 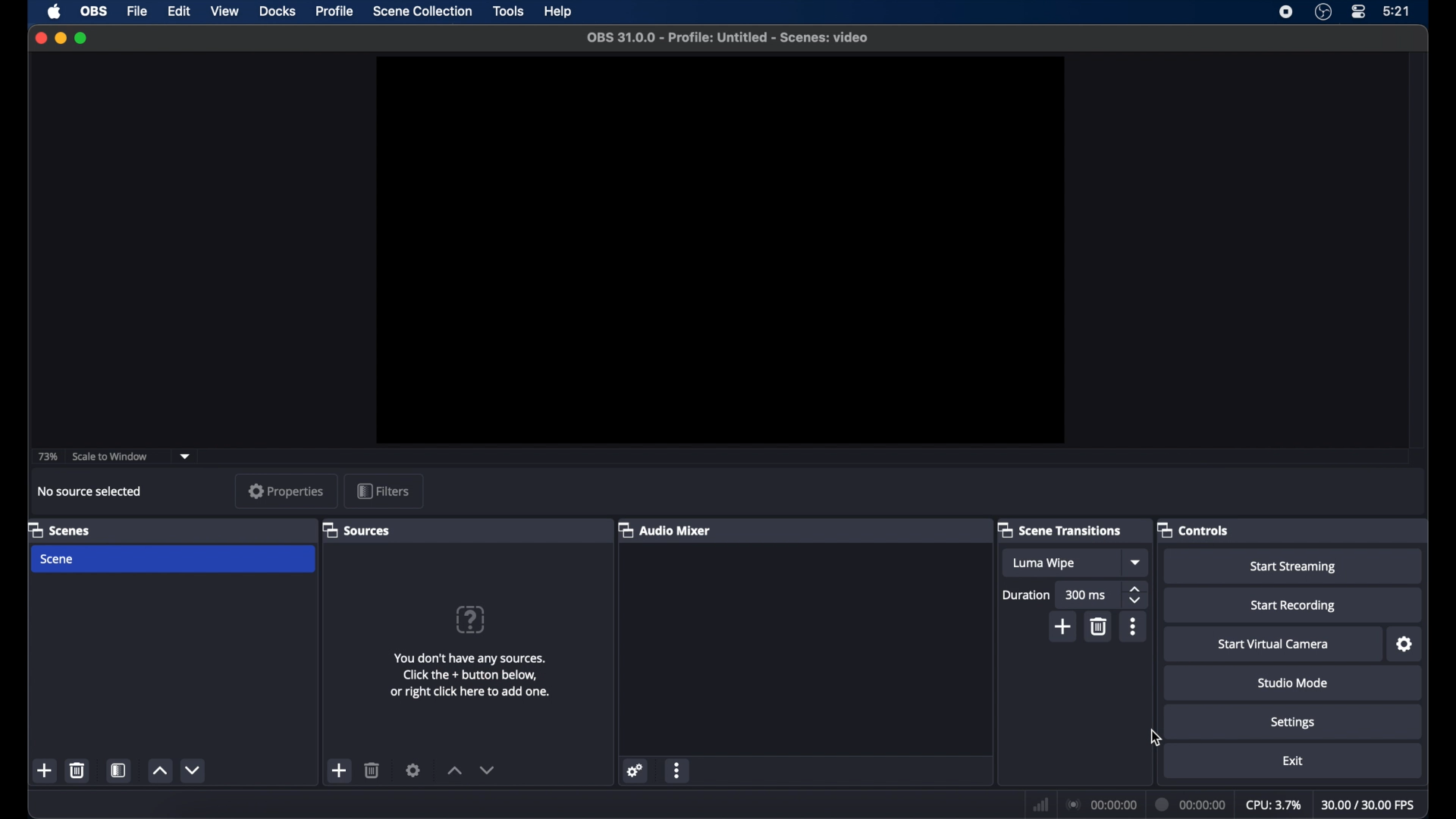 What do you see at coordinates (1134, 595) in the screenshot?
I see `stepper buttons` at bounding box center [1134, 595].